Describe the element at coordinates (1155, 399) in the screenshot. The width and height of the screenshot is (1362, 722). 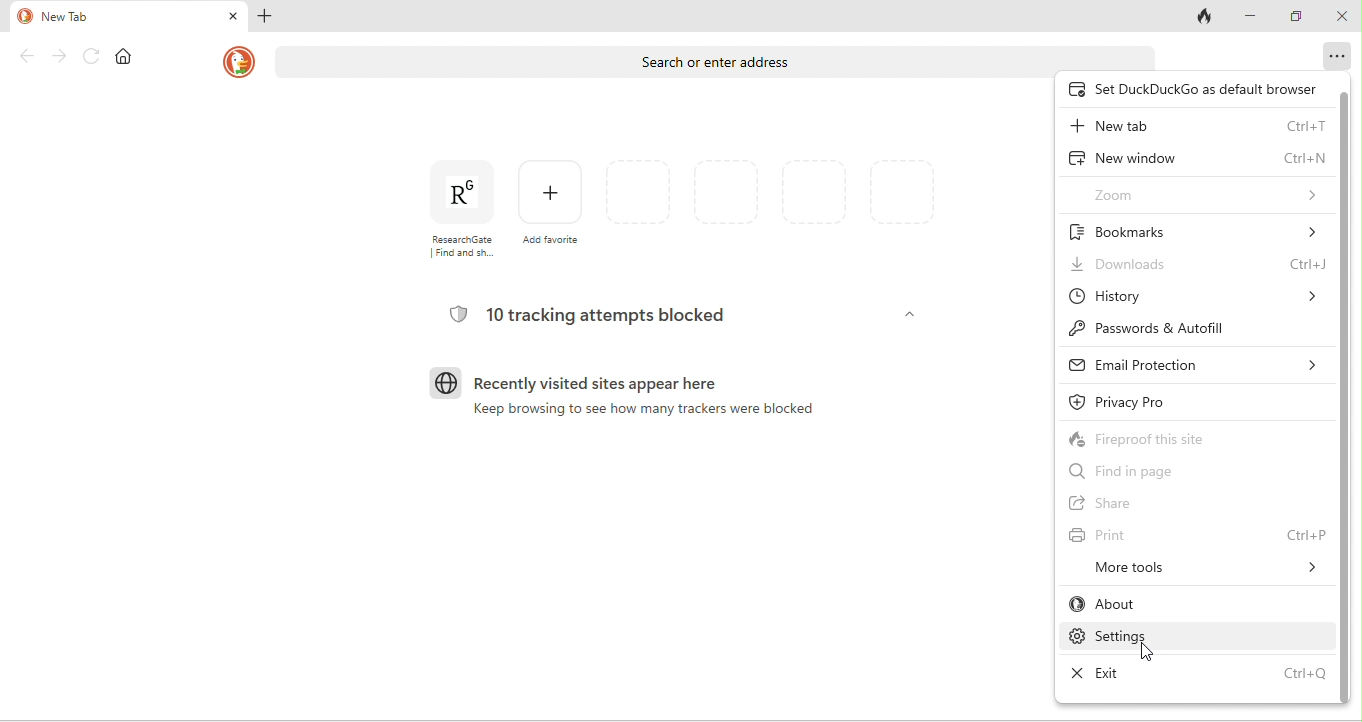
I see `privacy pro` at that location.